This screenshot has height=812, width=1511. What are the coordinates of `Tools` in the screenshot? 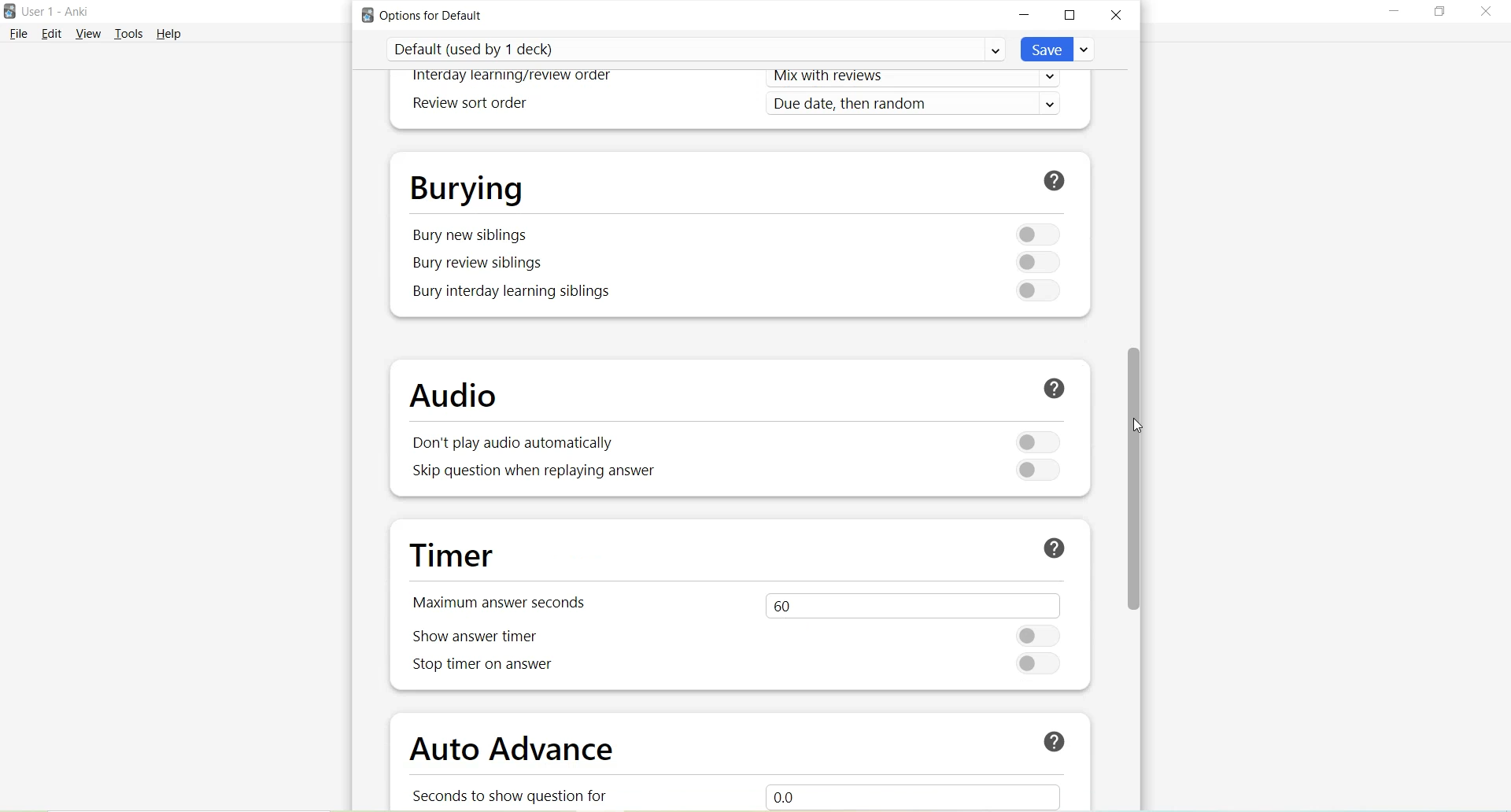 It's located at (132, 34).